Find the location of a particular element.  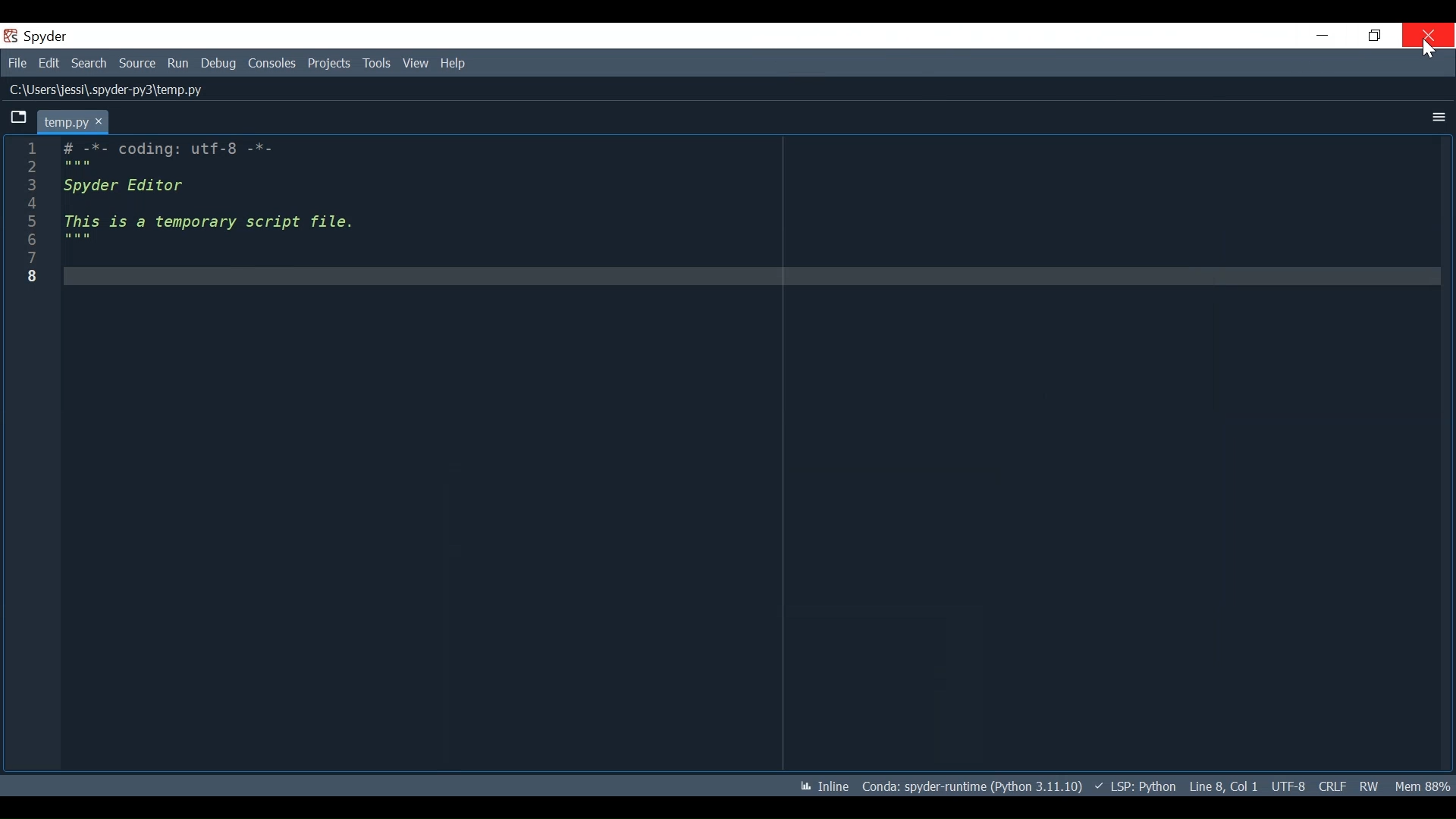

File is located at coordinates (17, 63).